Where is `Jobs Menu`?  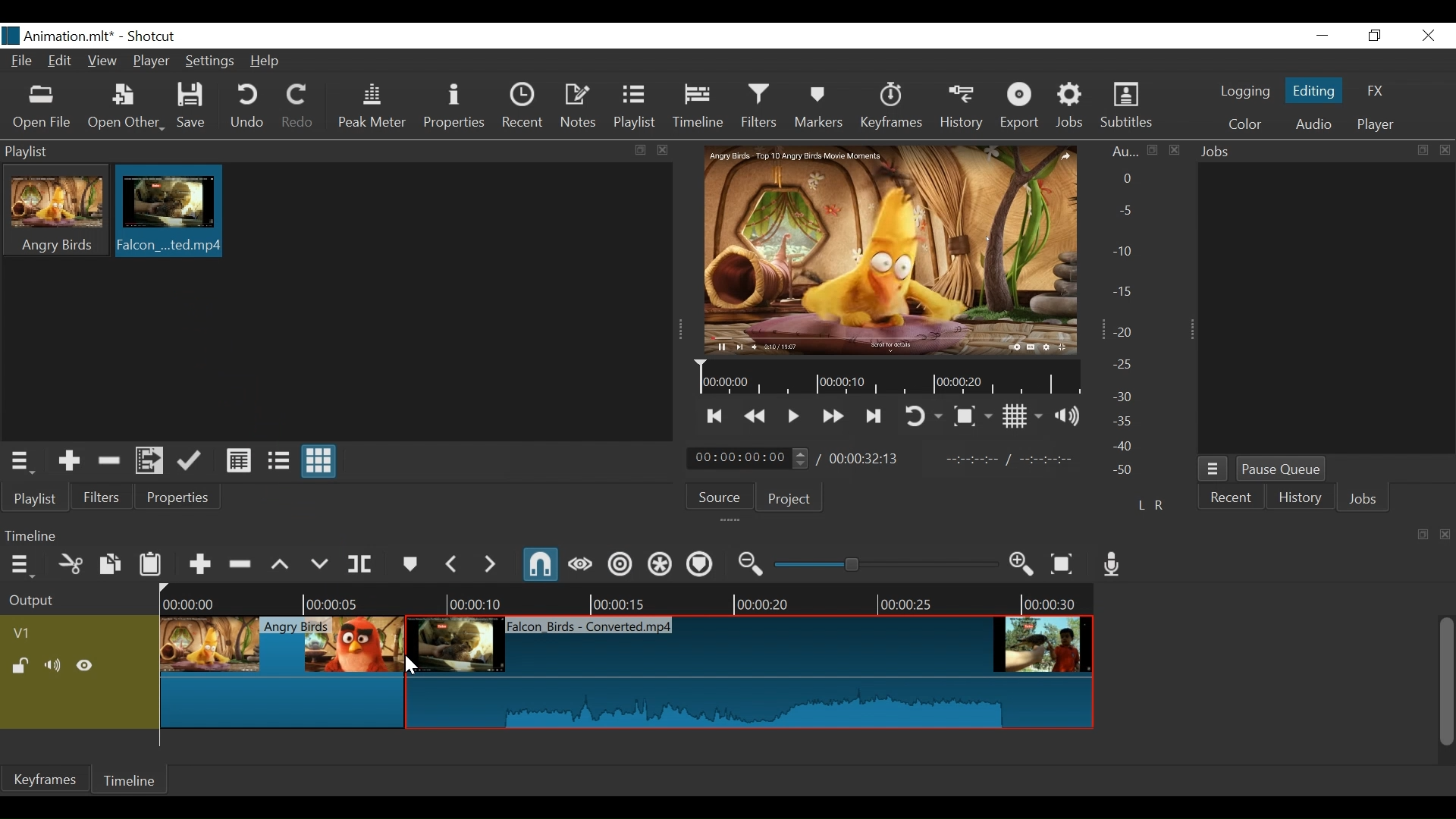 Jobs Menu is located at coordinates (1214, 470).